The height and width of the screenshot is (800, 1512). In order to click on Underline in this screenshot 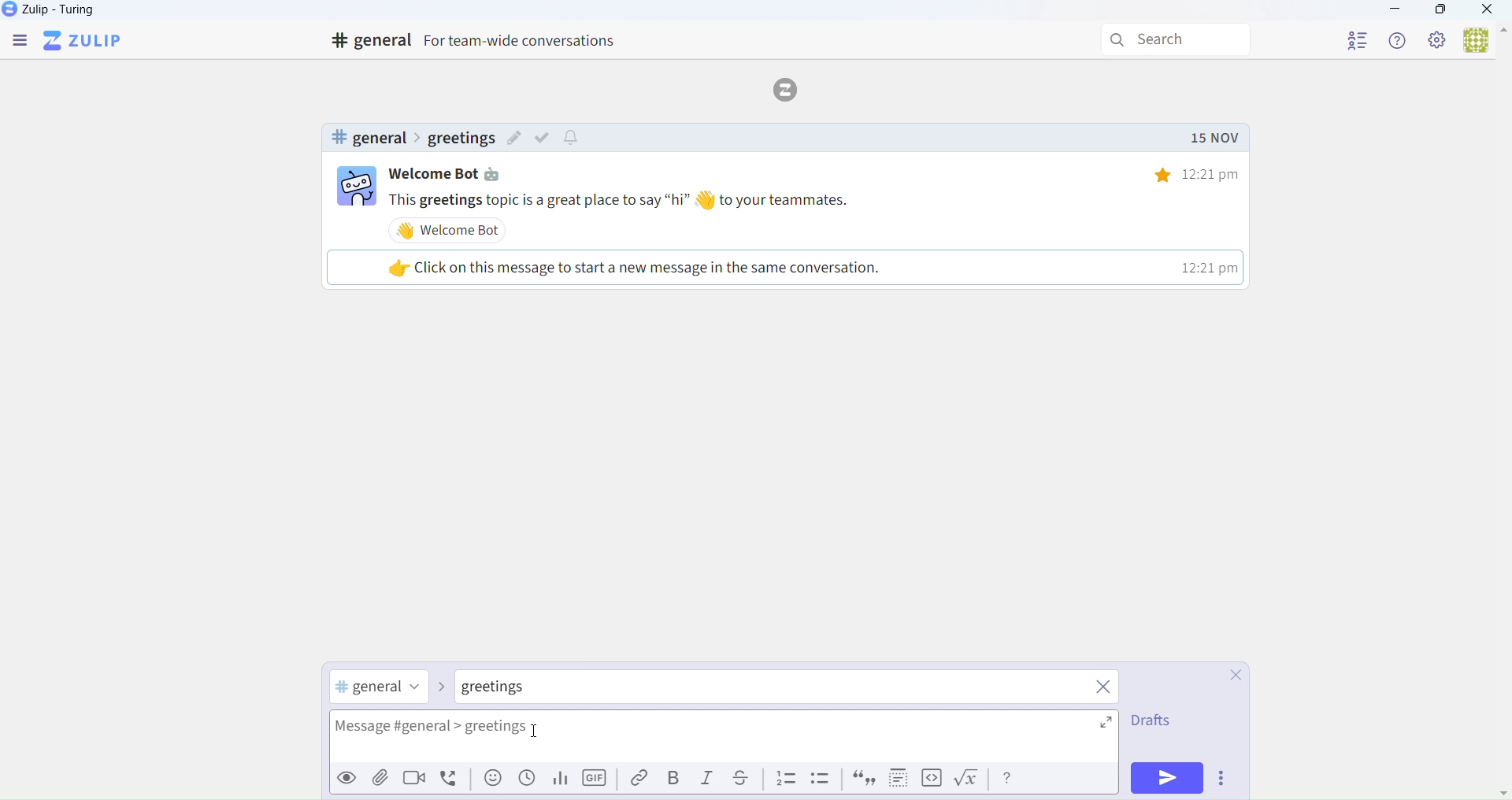, I will do `click(747, 779)`.